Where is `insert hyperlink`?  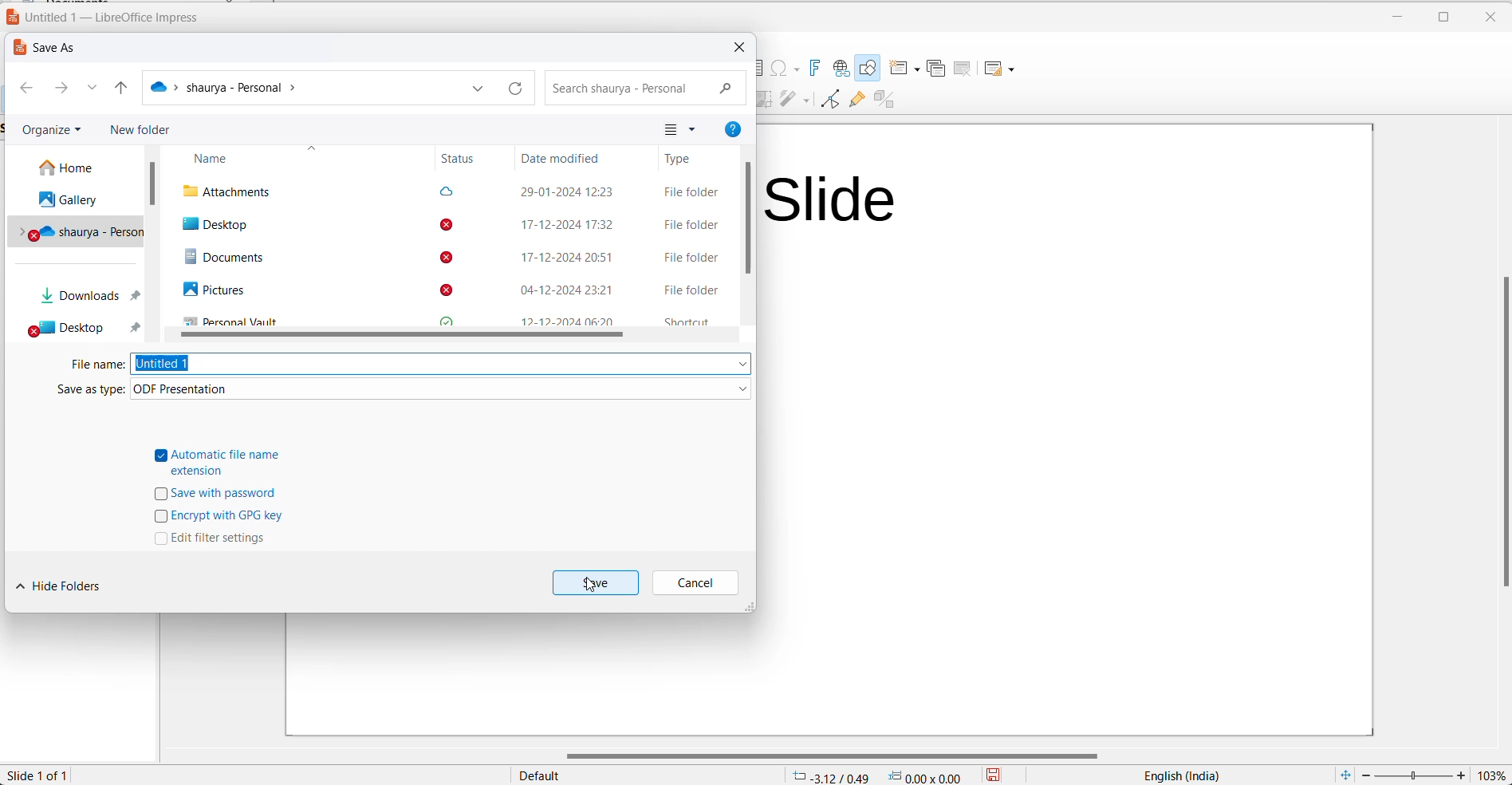
insert hyperlink is located at coordinates (841, 69).